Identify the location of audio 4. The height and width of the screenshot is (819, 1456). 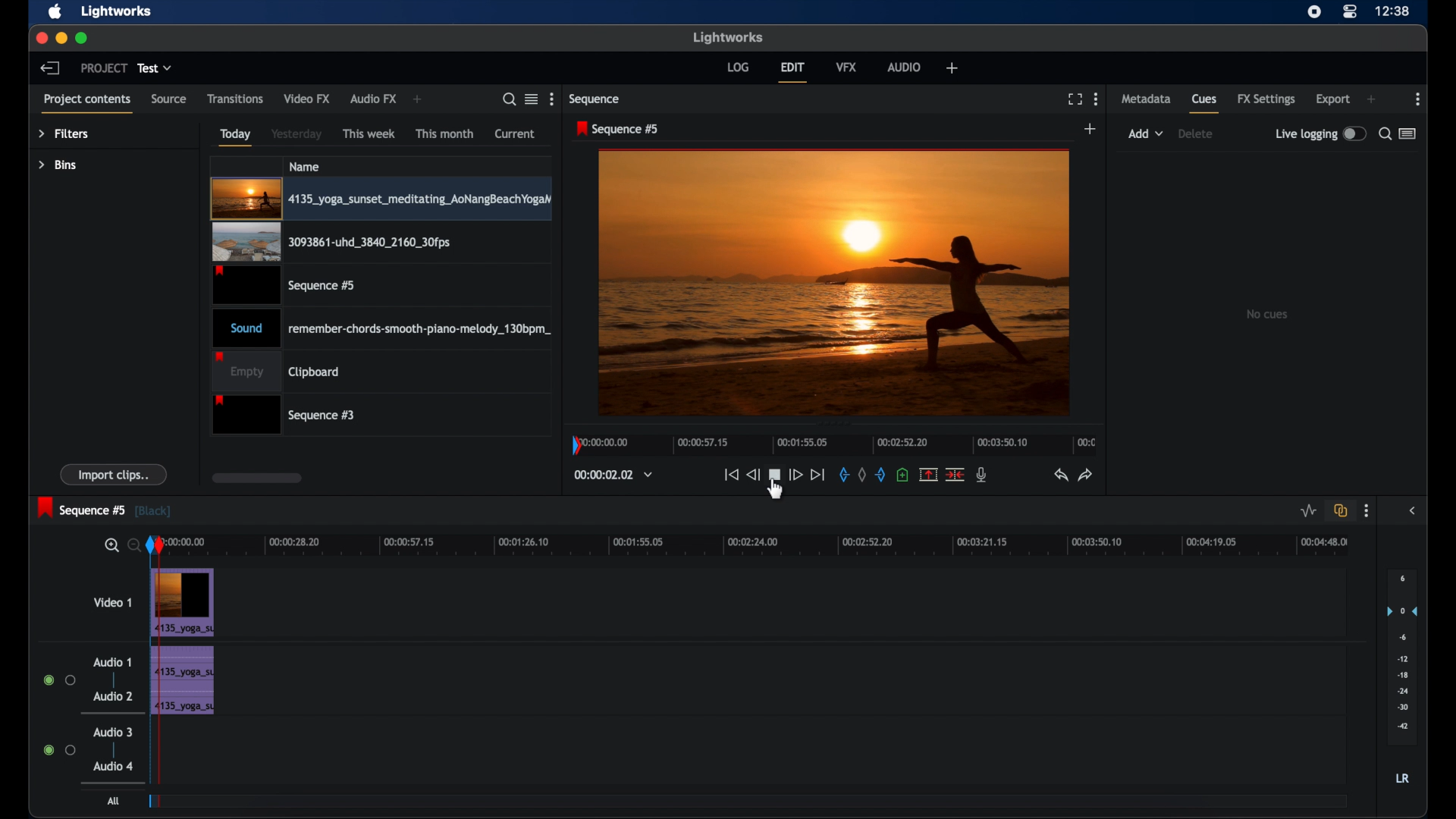
(111, 767).